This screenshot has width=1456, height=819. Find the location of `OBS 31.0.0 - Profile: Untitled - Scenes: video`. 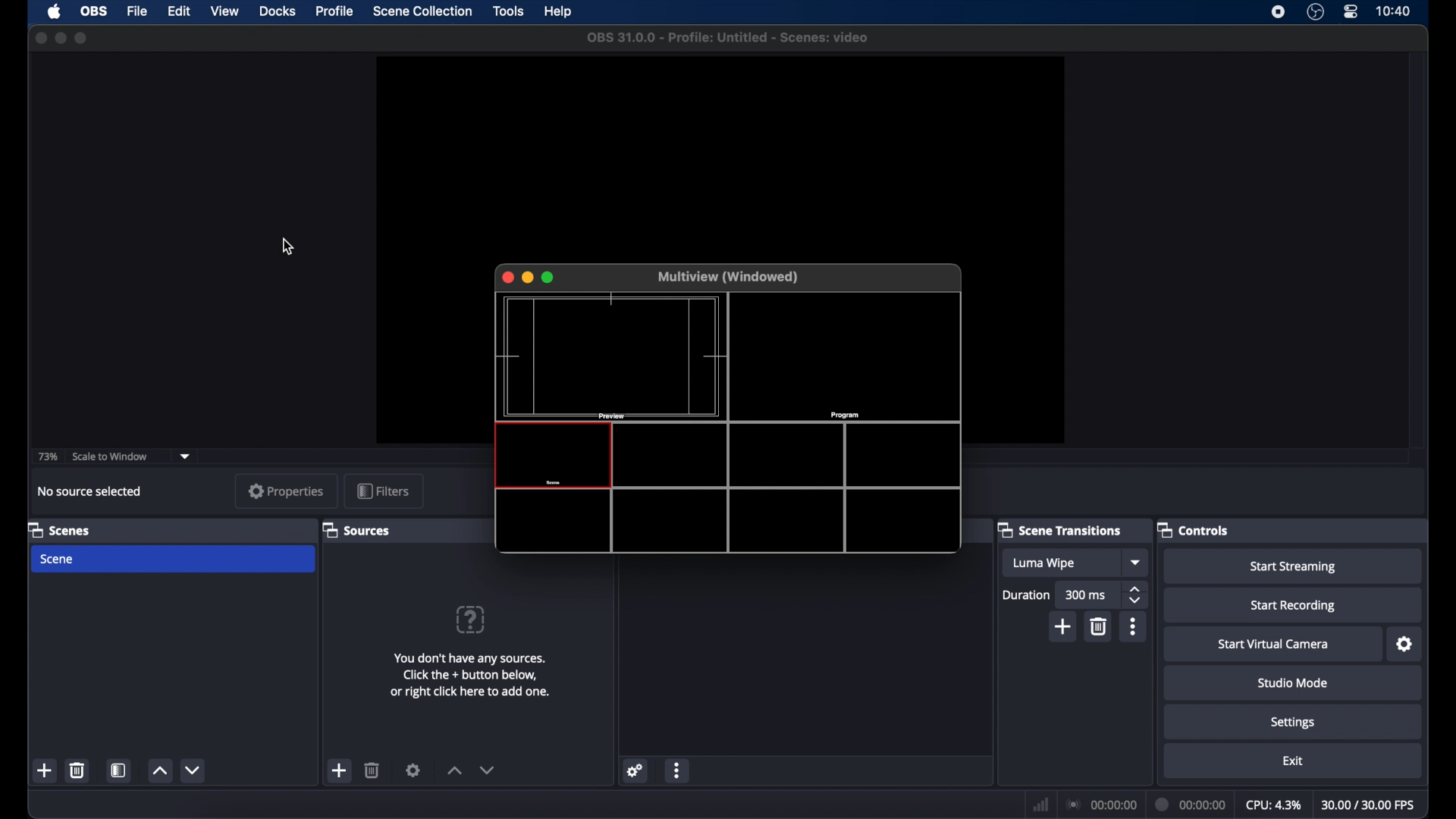

OBS 31.0.0 - Profile: Untitled - Scenes: video is located at coordinates (723, 38).